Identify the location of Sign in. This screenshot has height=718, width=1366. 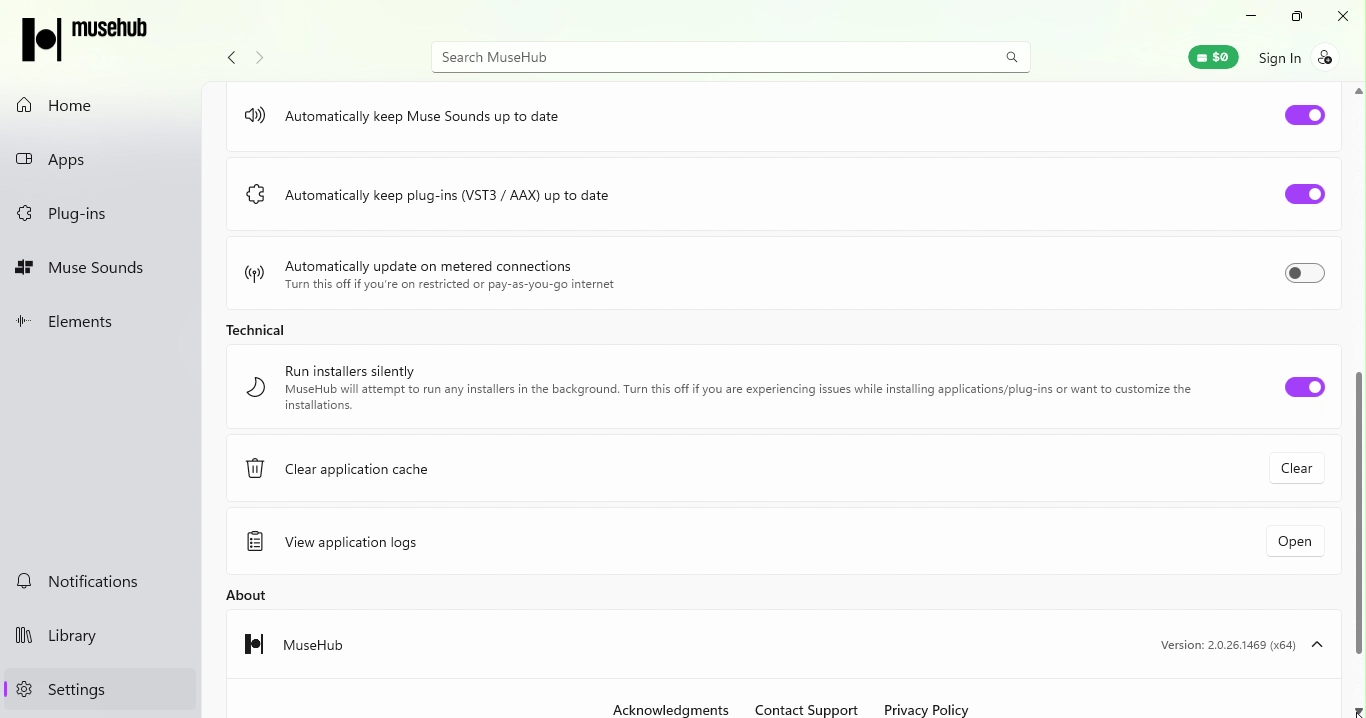
(1300, 57).